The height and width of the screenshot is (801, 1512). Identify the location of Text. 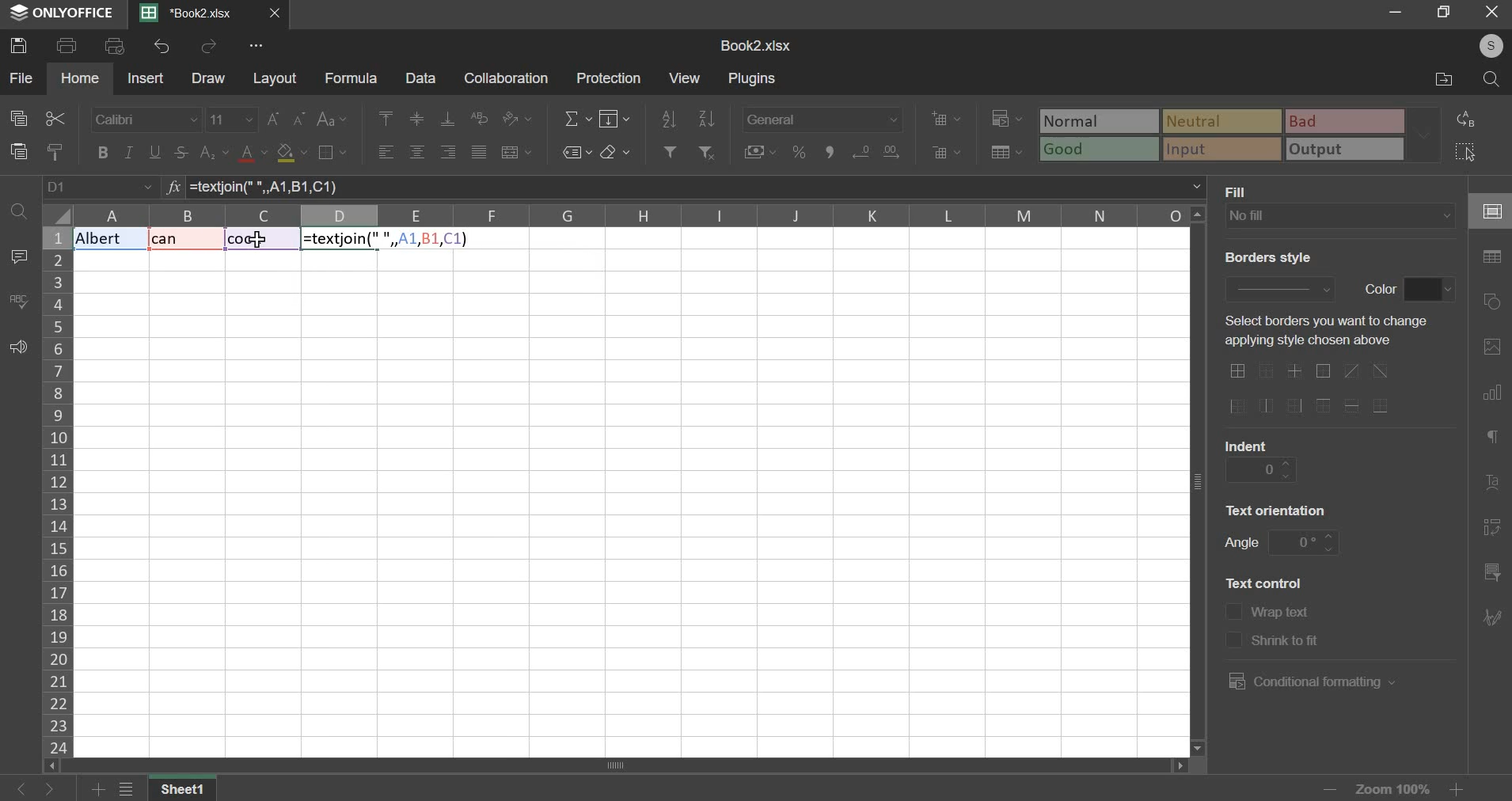
(179, 240).